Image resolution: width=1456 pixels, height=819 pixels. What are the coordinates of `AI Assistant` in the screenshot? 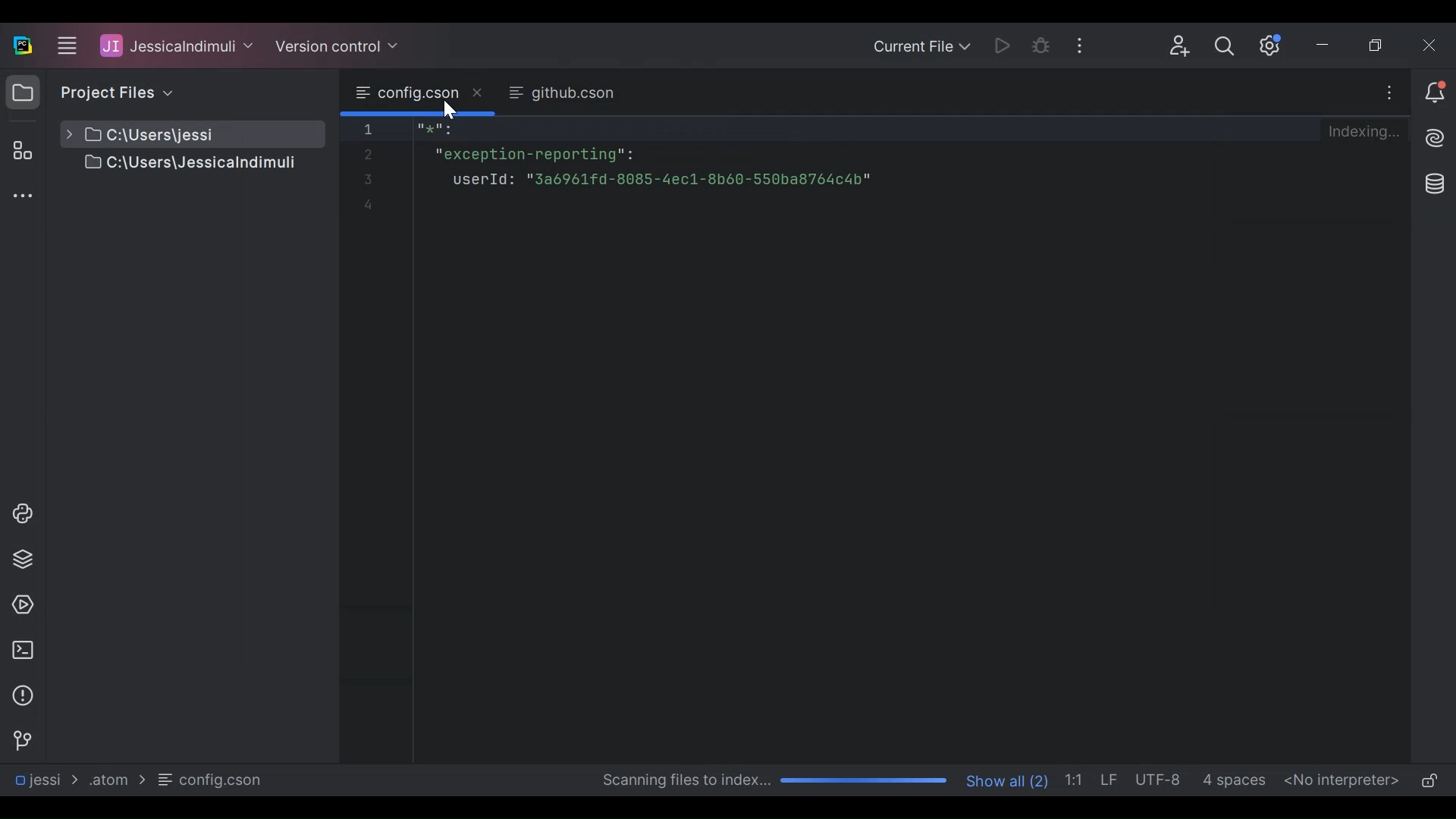 It's located at (1434, 138).